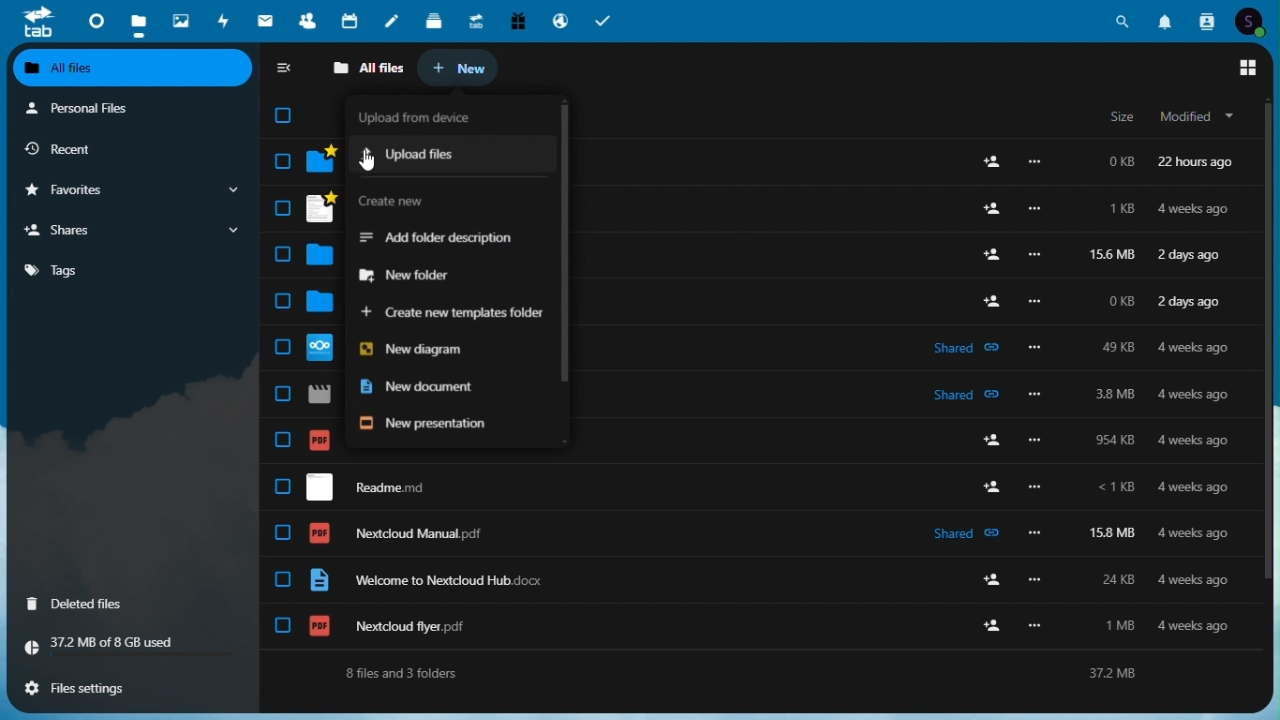  I want to click on Search , so click(1122, 21).